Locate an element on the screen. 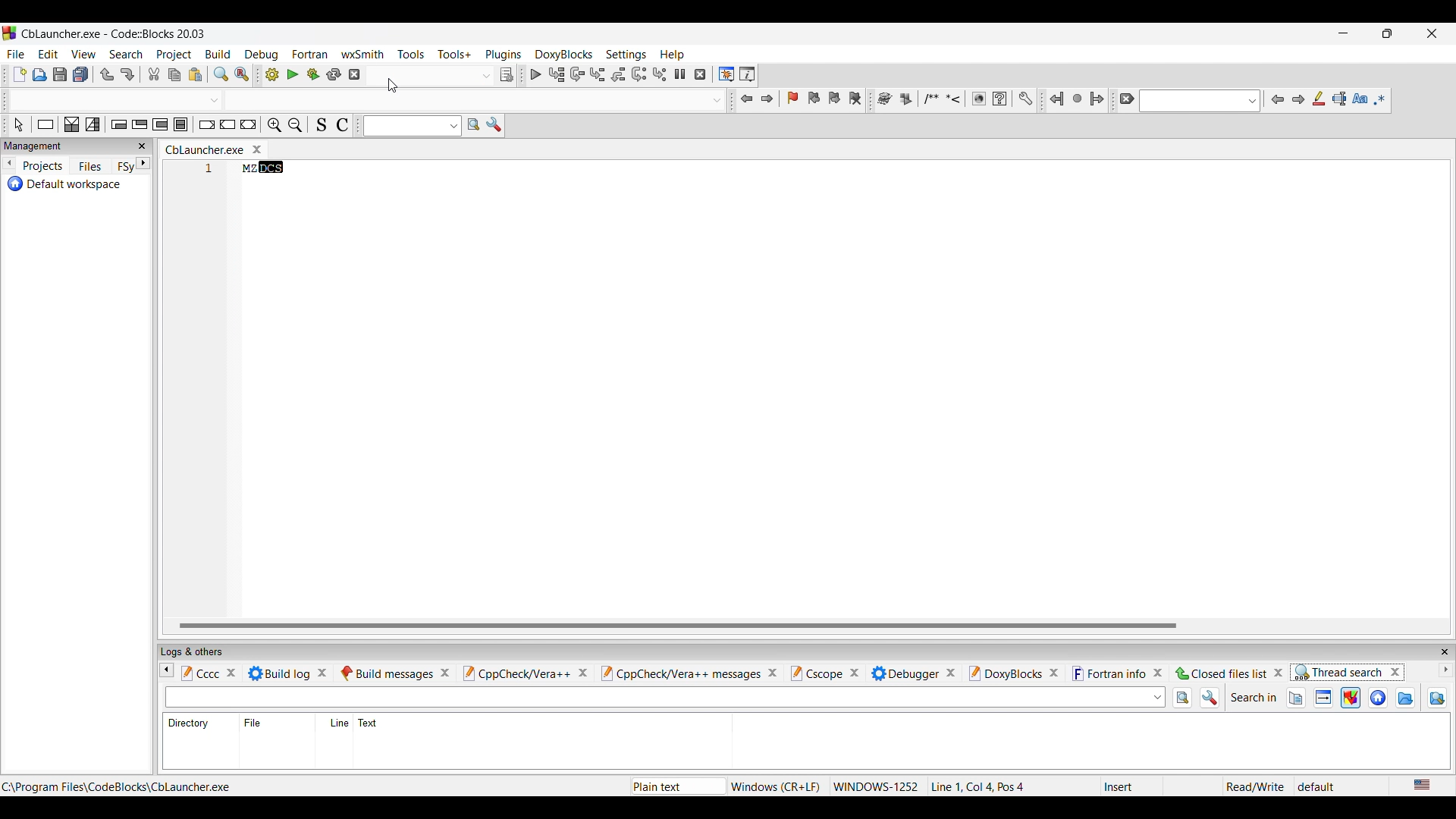 This screenshot has height=819, width=1456. Block instruction is located at coordinates (181, 124).